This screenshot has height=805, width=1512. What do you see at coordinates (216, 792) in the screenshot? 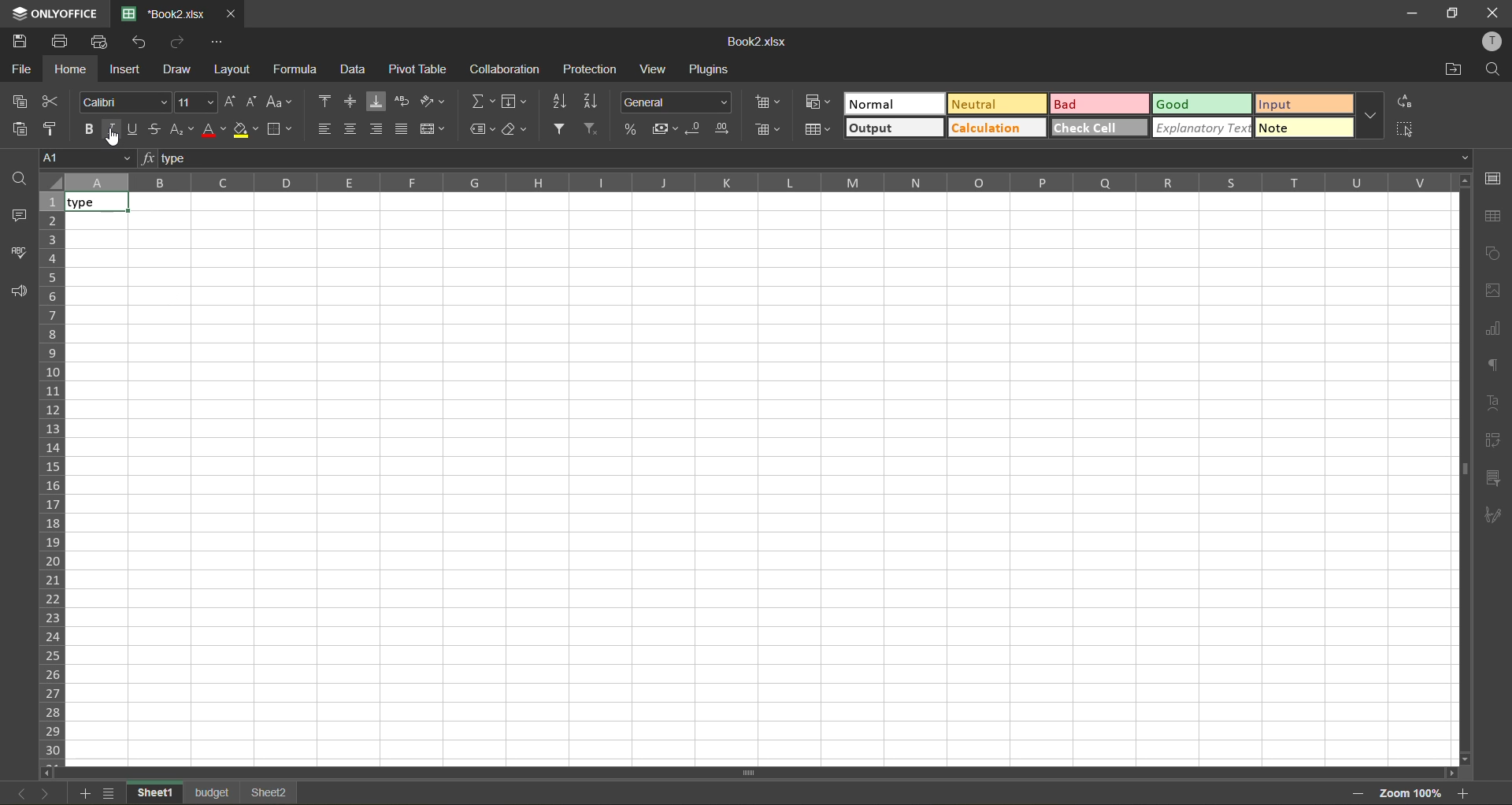
I see `sheet names` at bounding box center [216, 792].